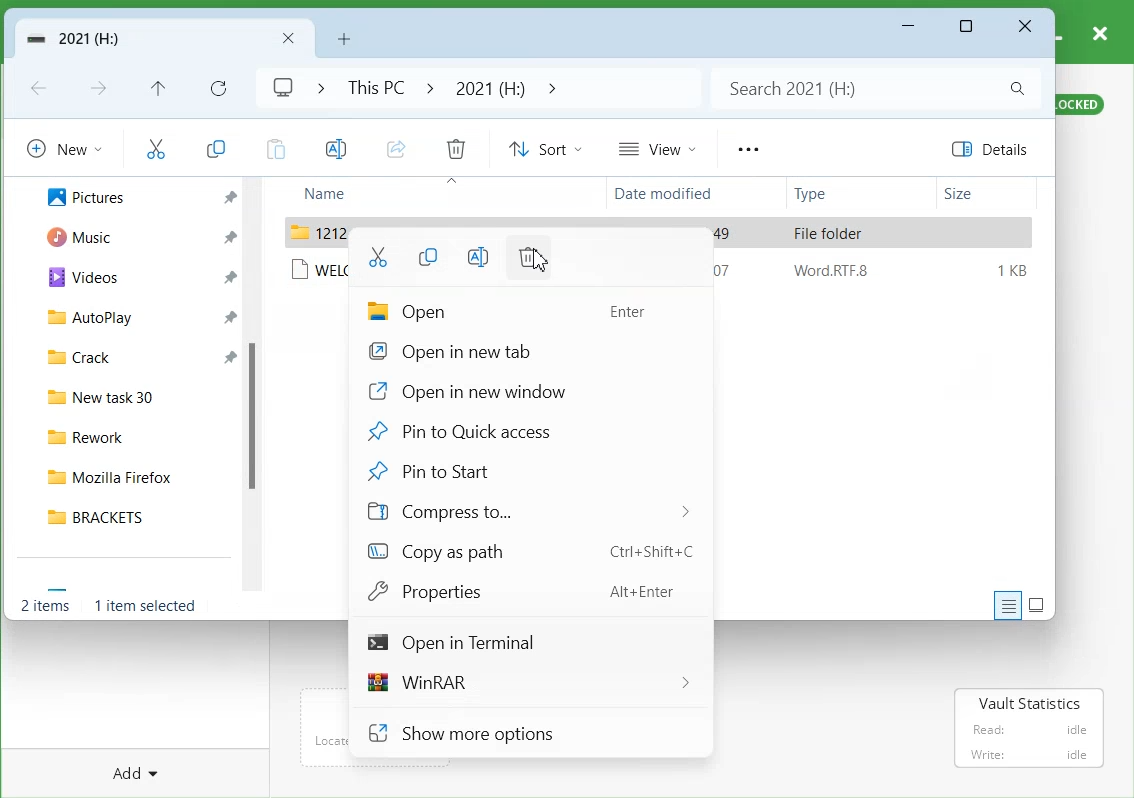 This screenshot has width=1134, height=798. What do you see at coordinates (231, 314) in the screenshot?
I see `Pin a file` at bounding box center [231, 314].